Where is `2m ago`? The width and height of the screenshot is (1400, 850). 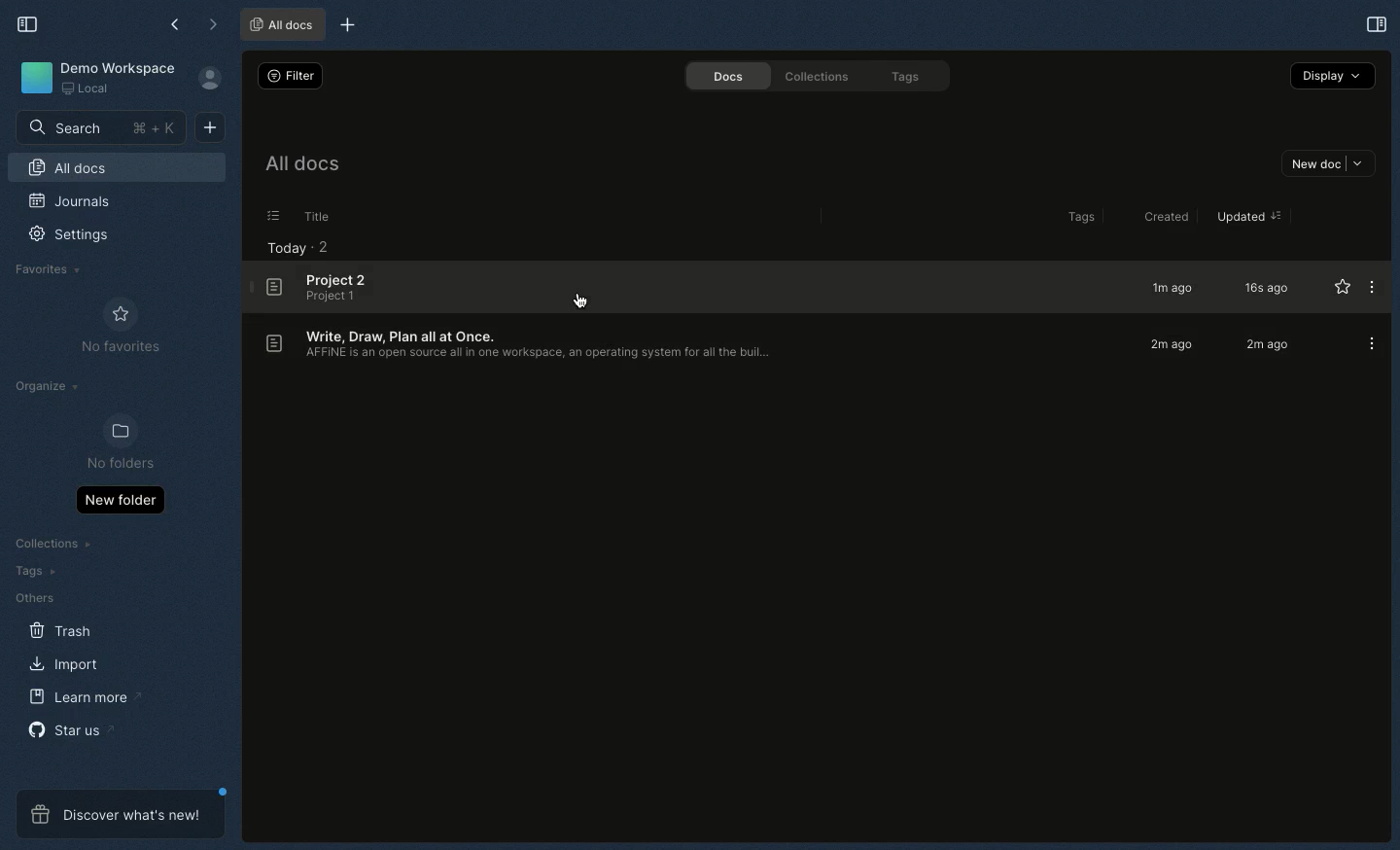
2m ago is located at coordinates (1269, 348).